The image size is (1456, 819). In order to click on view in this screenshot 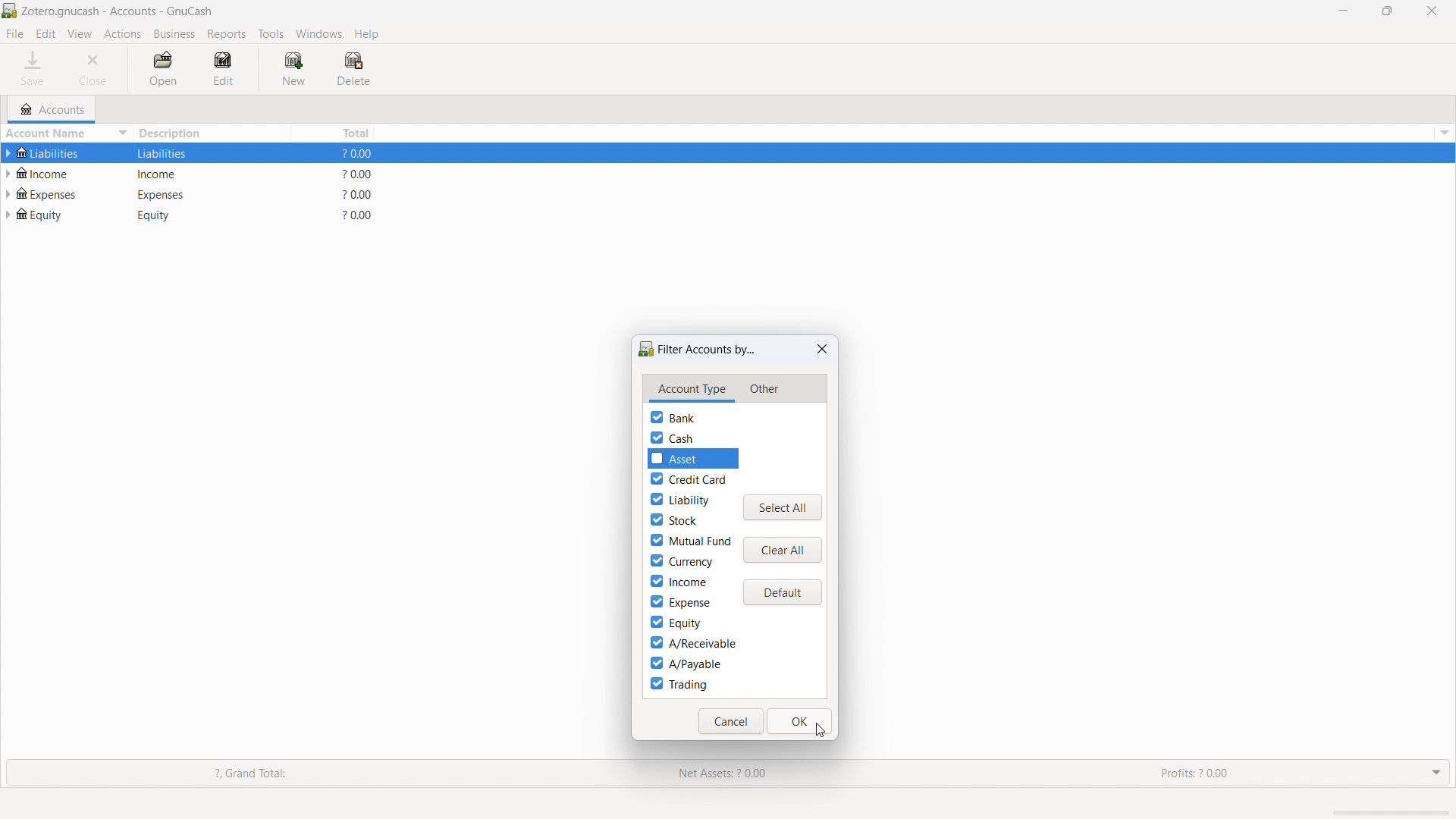, I will do `click(80, 34)`.